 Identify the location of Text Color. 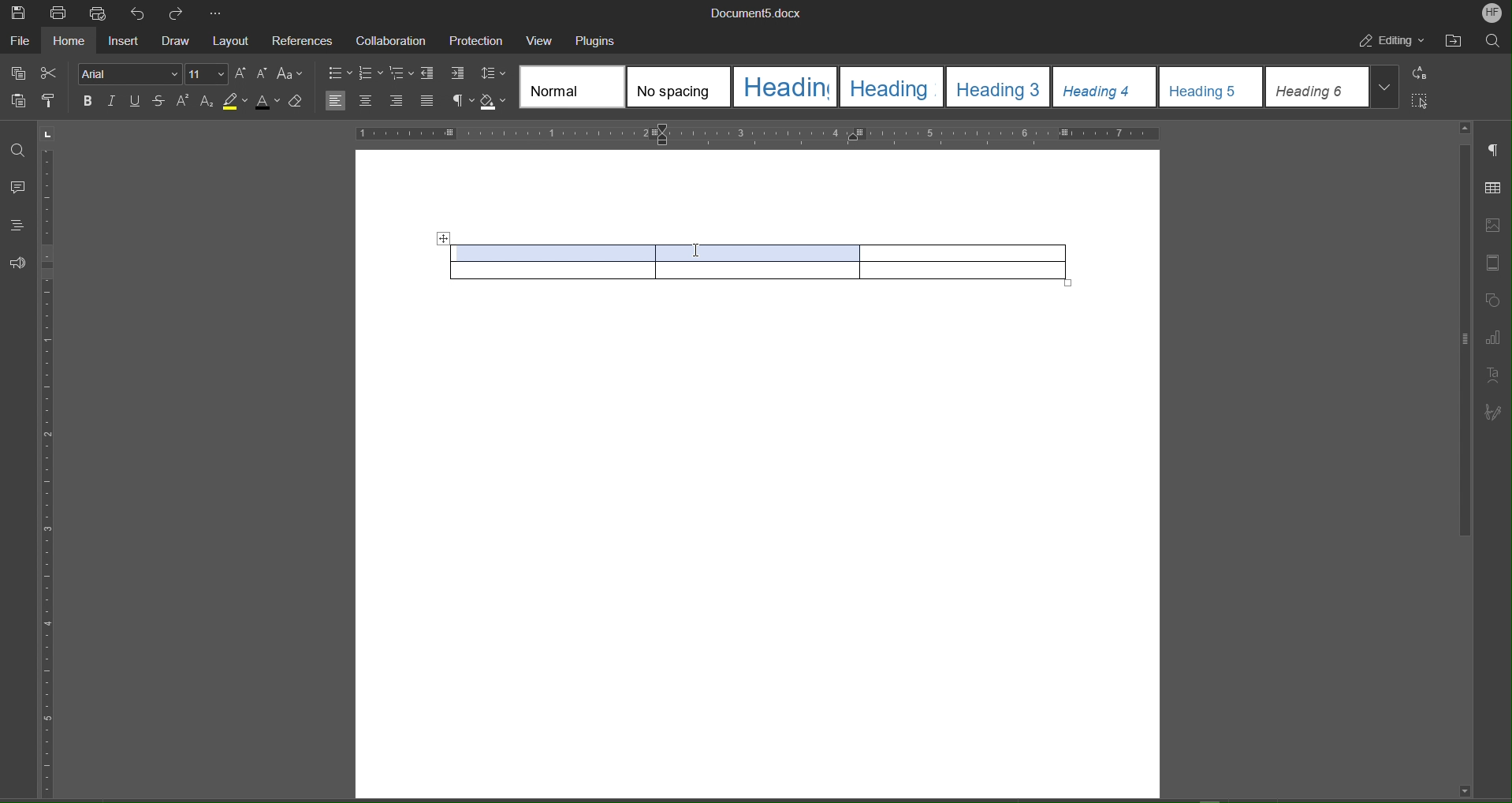
(268, 101).